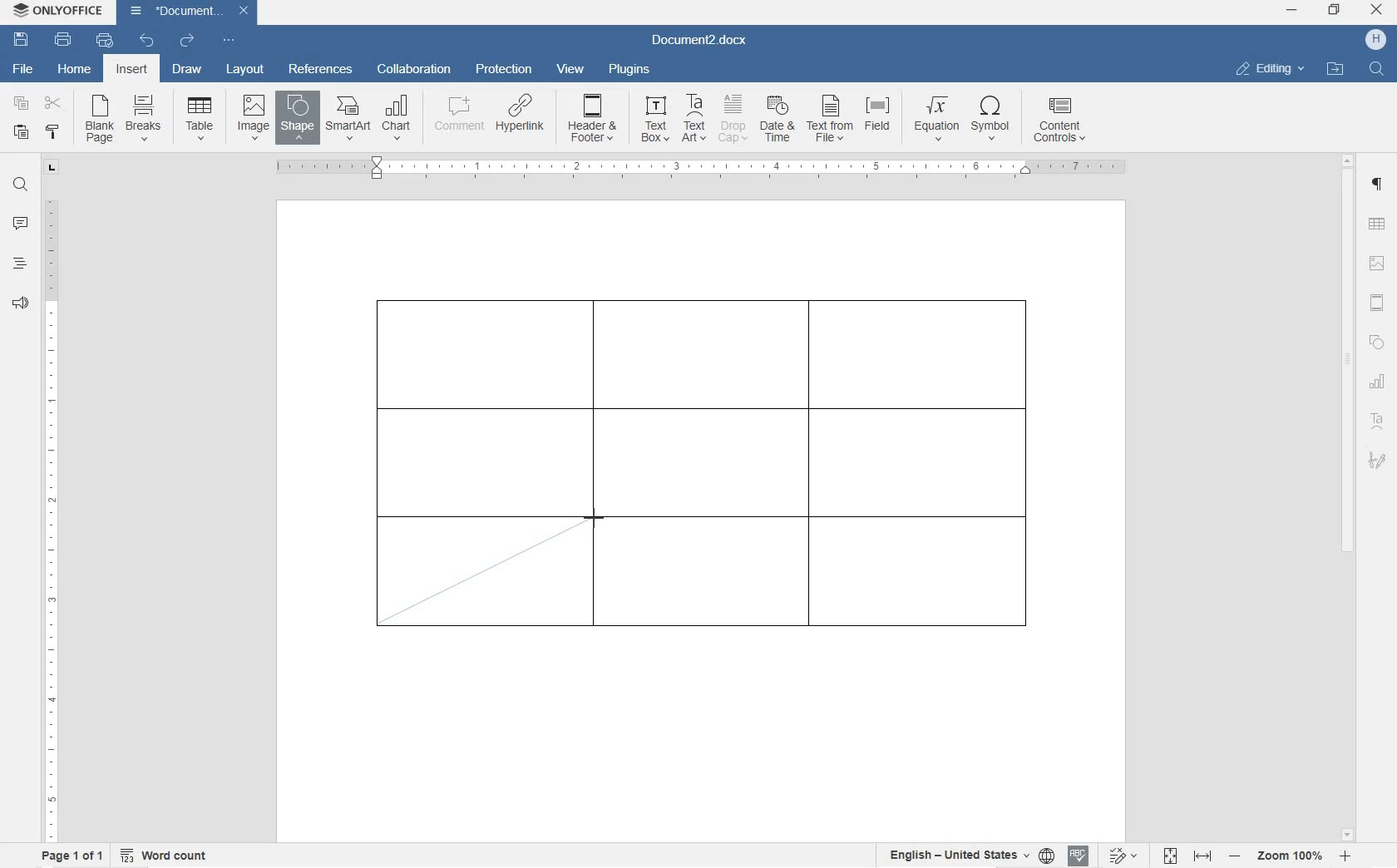 Image resolution: width=1397 pixels, height=868 pixels. Describe the element at coordinates (97, 121) in the screenshot. I see `blank page` at that location.